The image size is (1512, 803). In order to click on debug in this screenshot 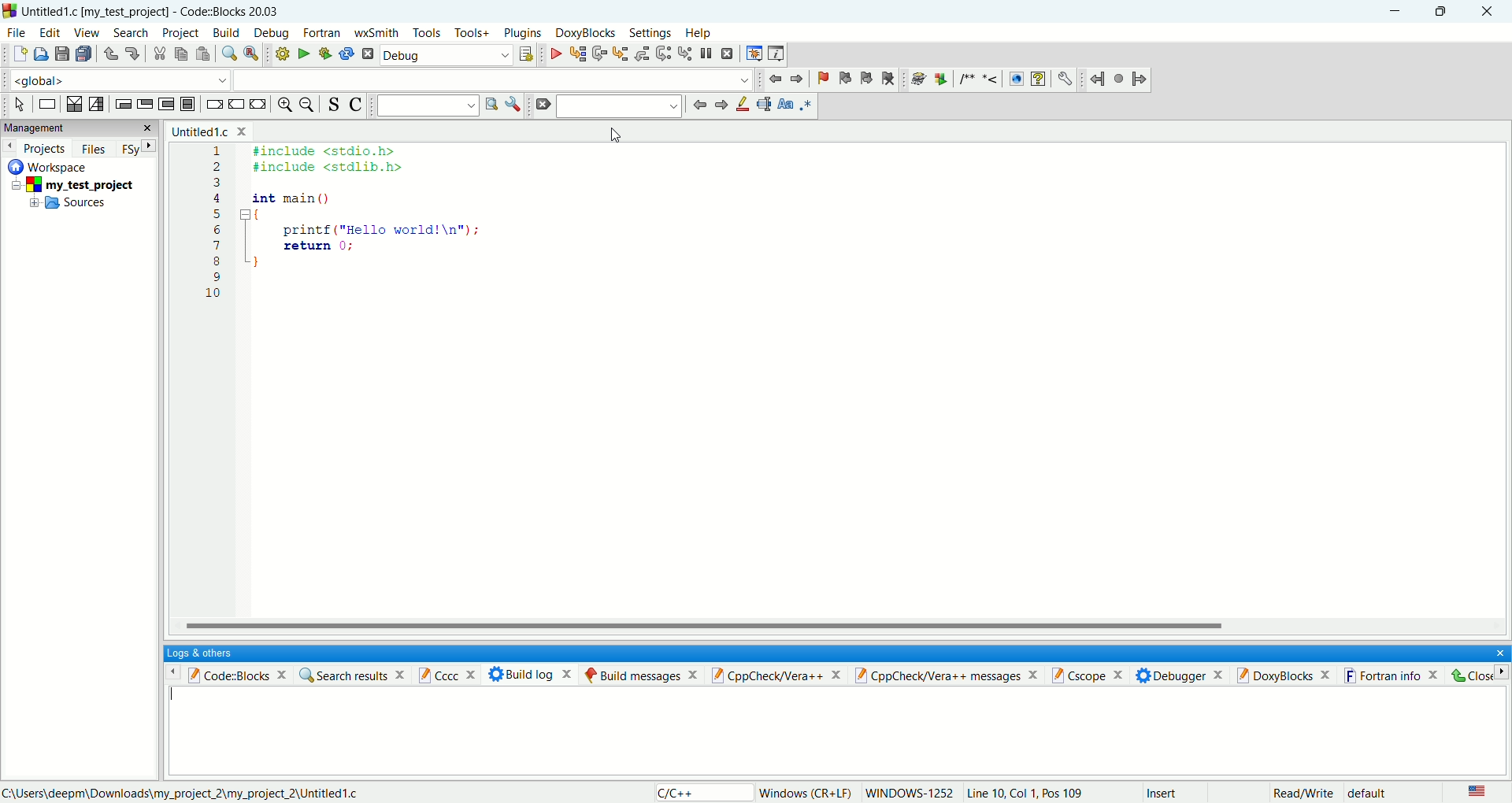, I will do `click(271, 33)`.